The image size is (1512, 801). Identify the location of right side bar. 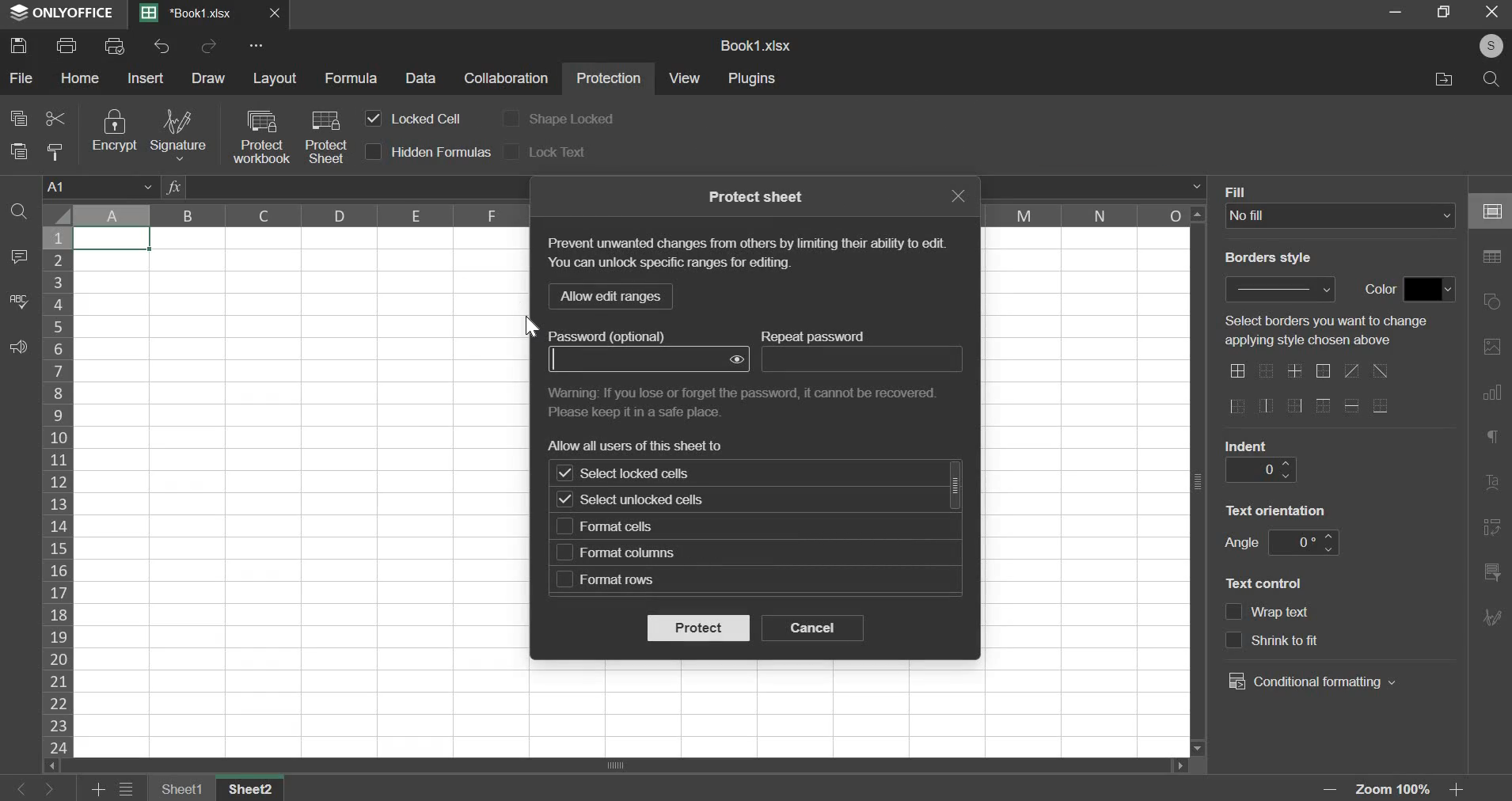
(1494, 257).